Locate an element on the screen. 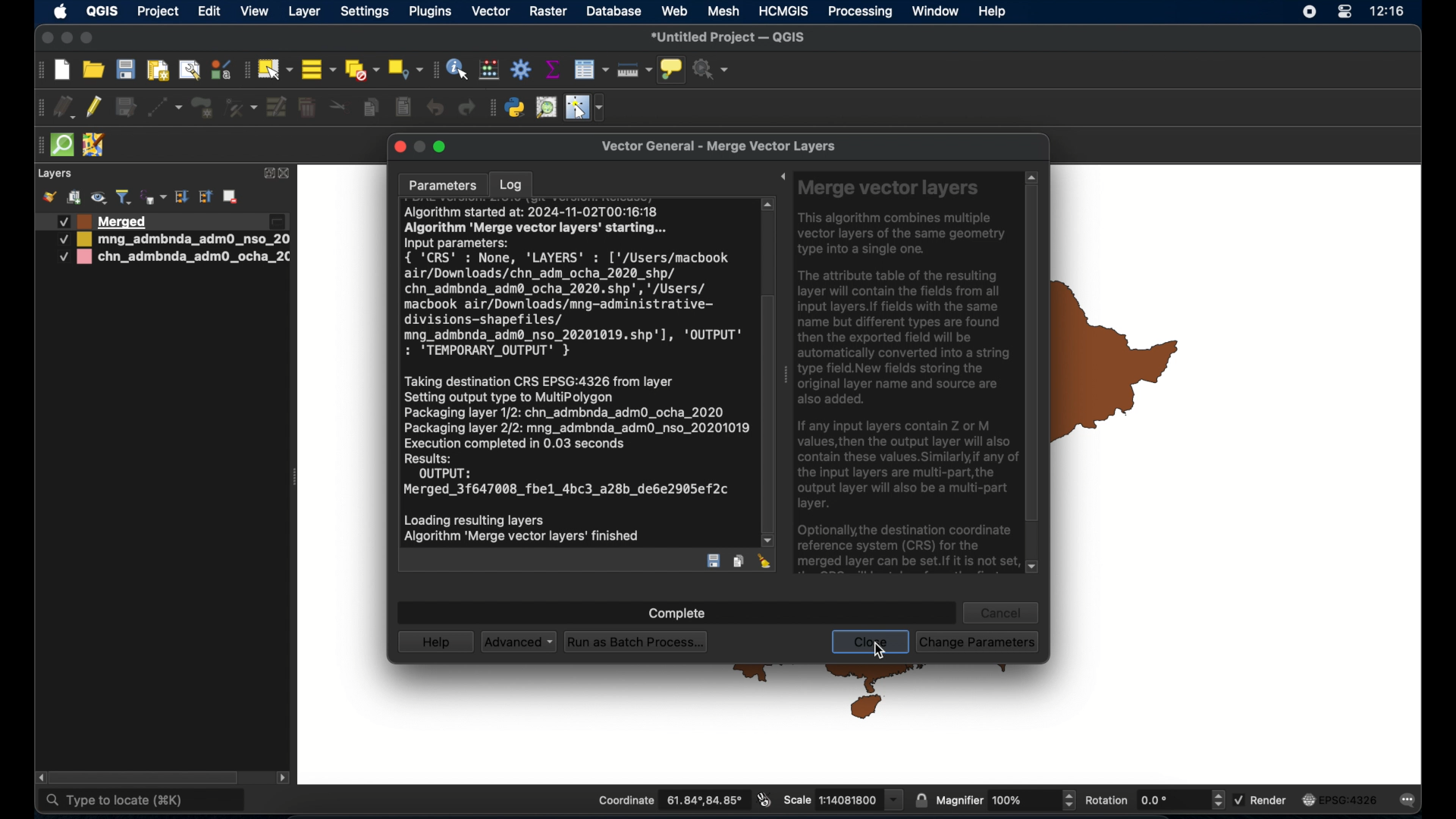 This screenshot has height=819, width=1456. current edits is located at coordinates (66, 109).